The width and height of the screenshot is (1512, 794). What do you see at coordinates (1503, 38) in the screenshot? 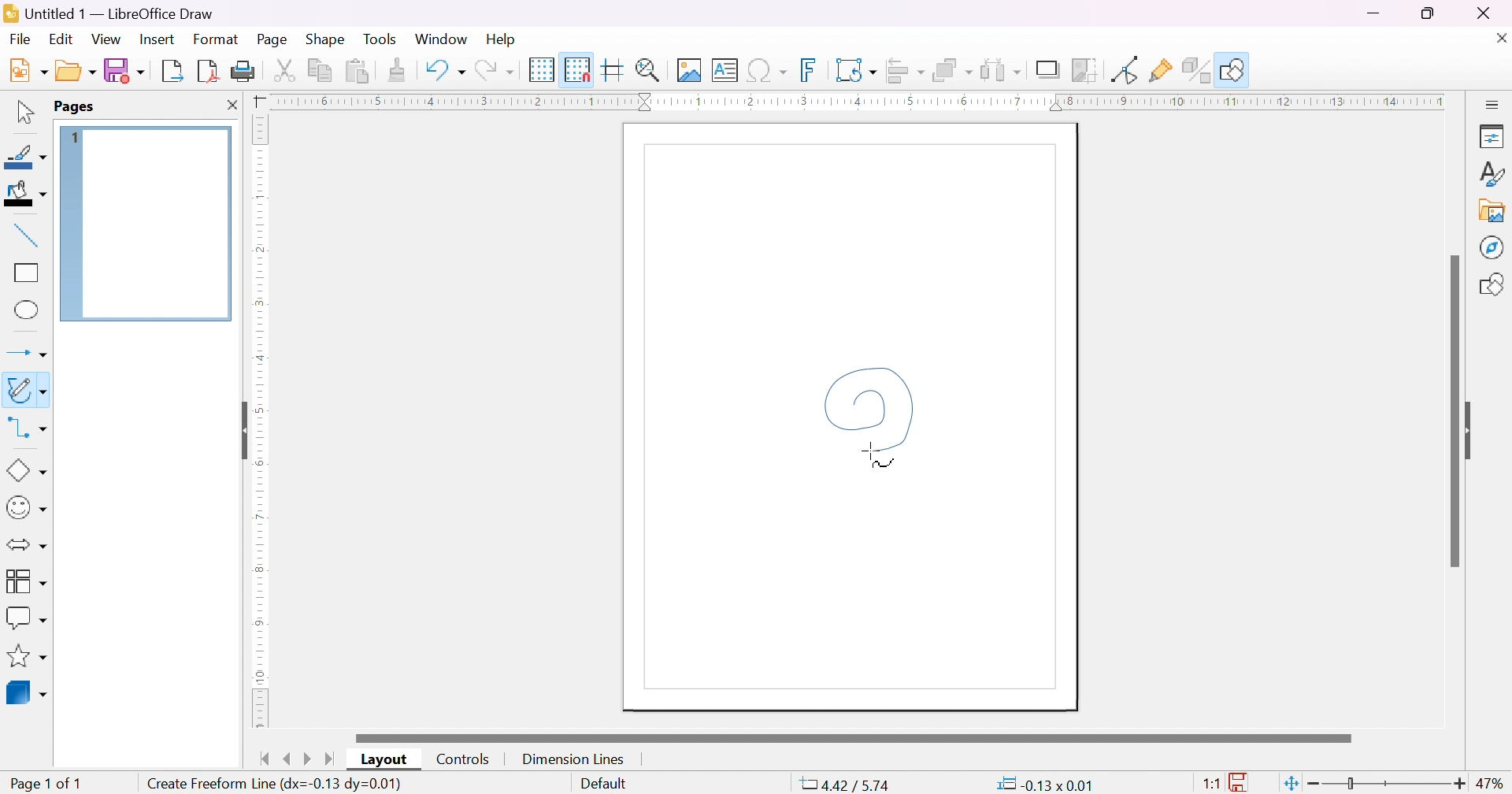
I see `close` at bounding box center [1503, 38].